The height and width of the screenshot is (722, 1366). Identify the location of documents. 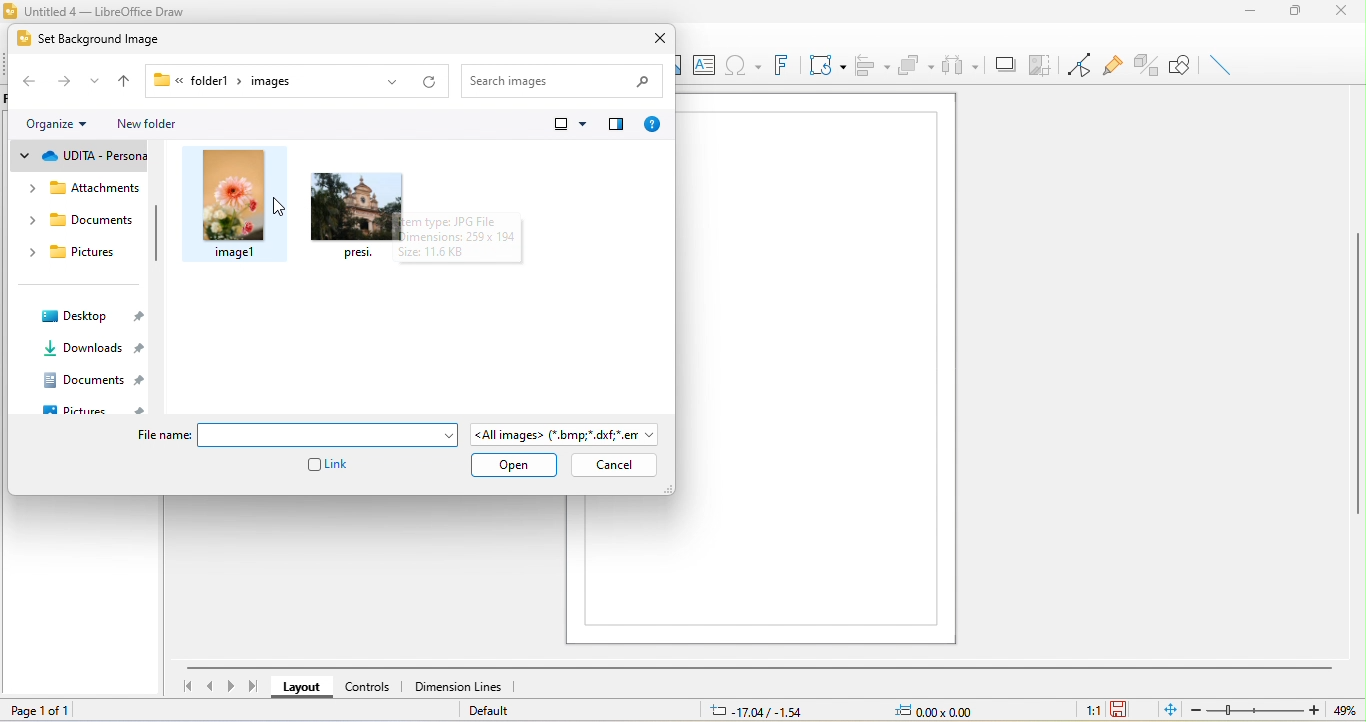
(94, 378).